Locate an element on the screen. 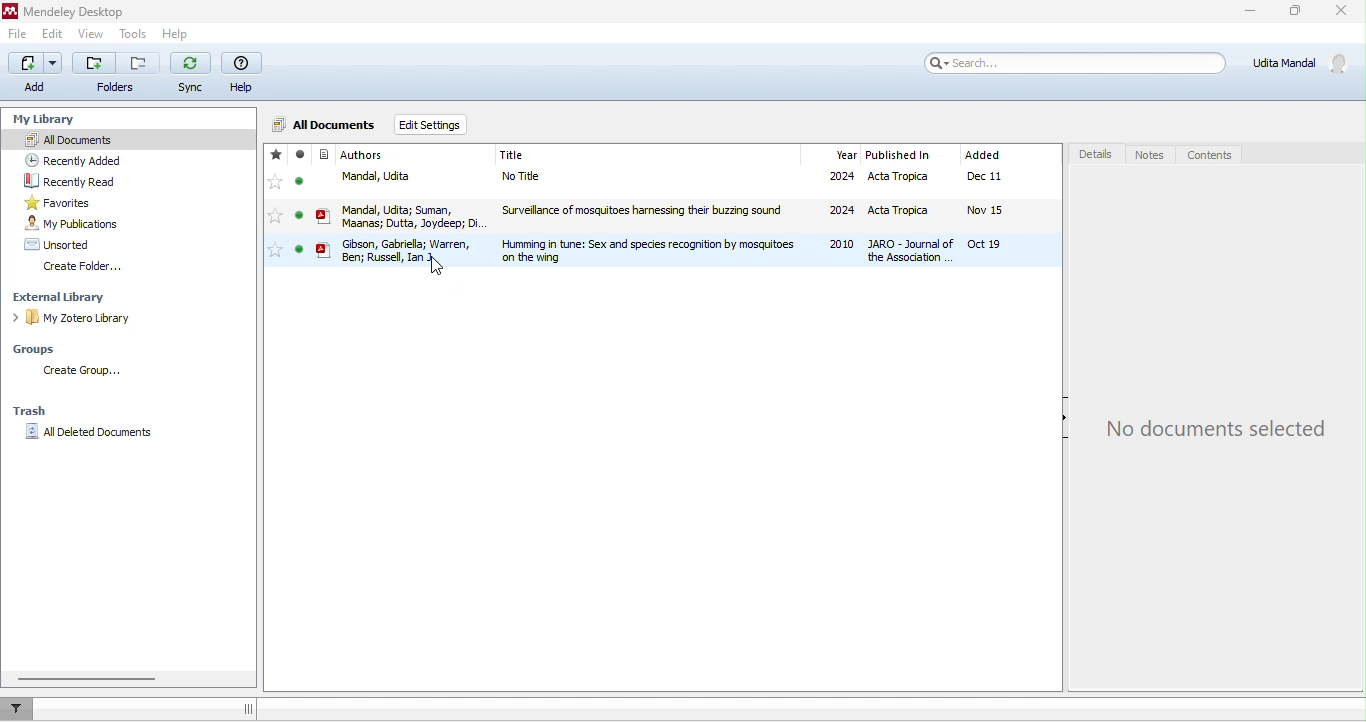  seen/unseen is located at coordinates (298, 205).